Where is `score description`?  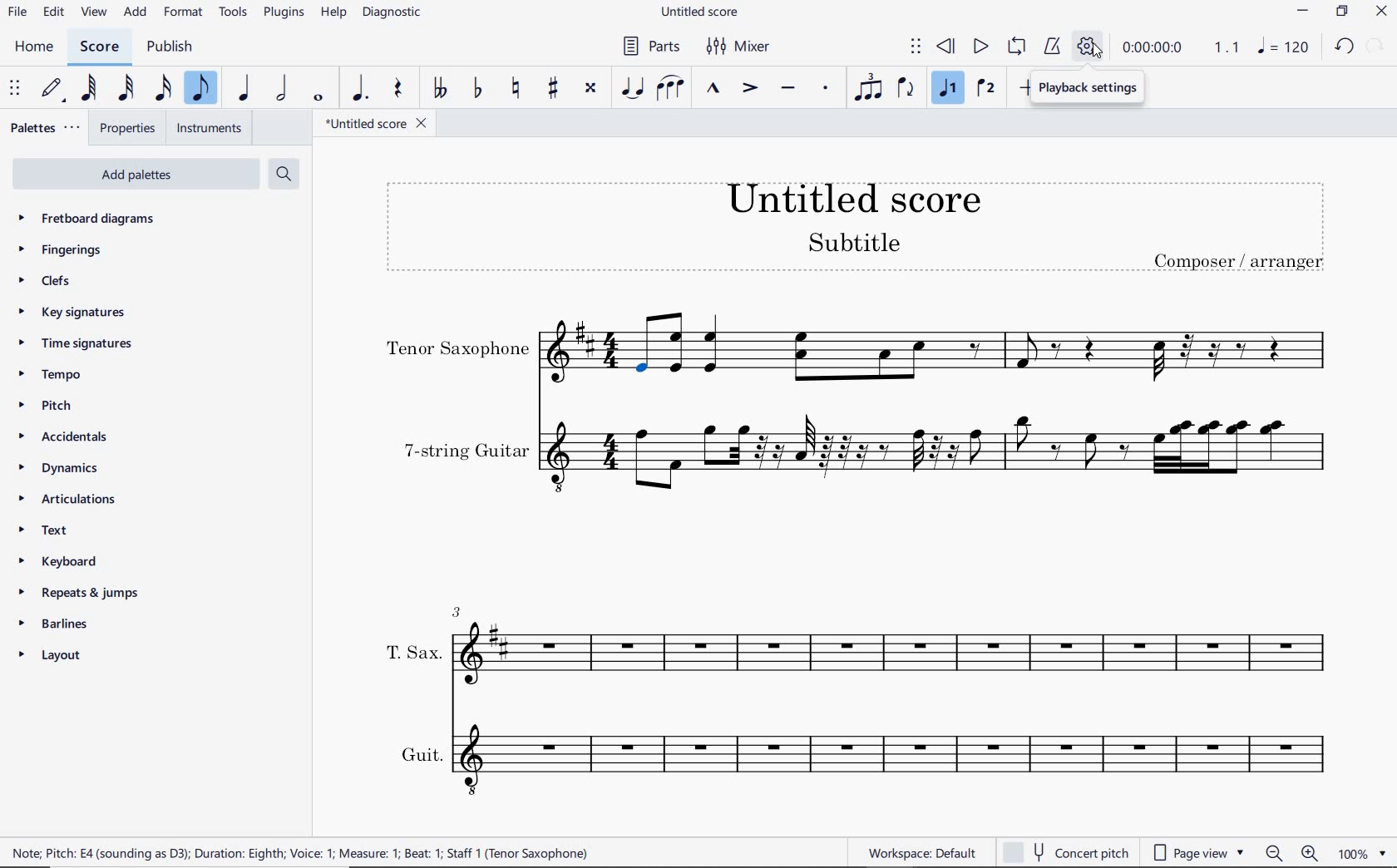
score description is located at coordinates (301, 851).